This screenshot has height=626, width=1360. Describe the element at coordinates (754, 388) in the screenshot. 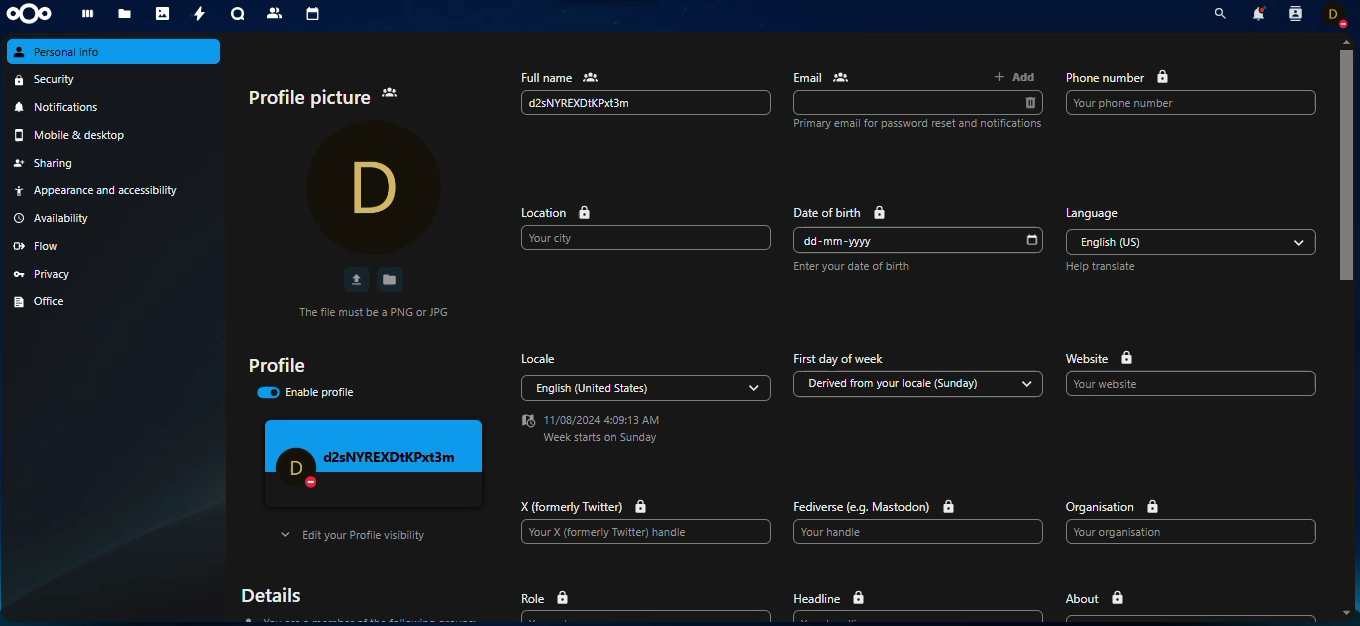

I see `drop down` at that location.